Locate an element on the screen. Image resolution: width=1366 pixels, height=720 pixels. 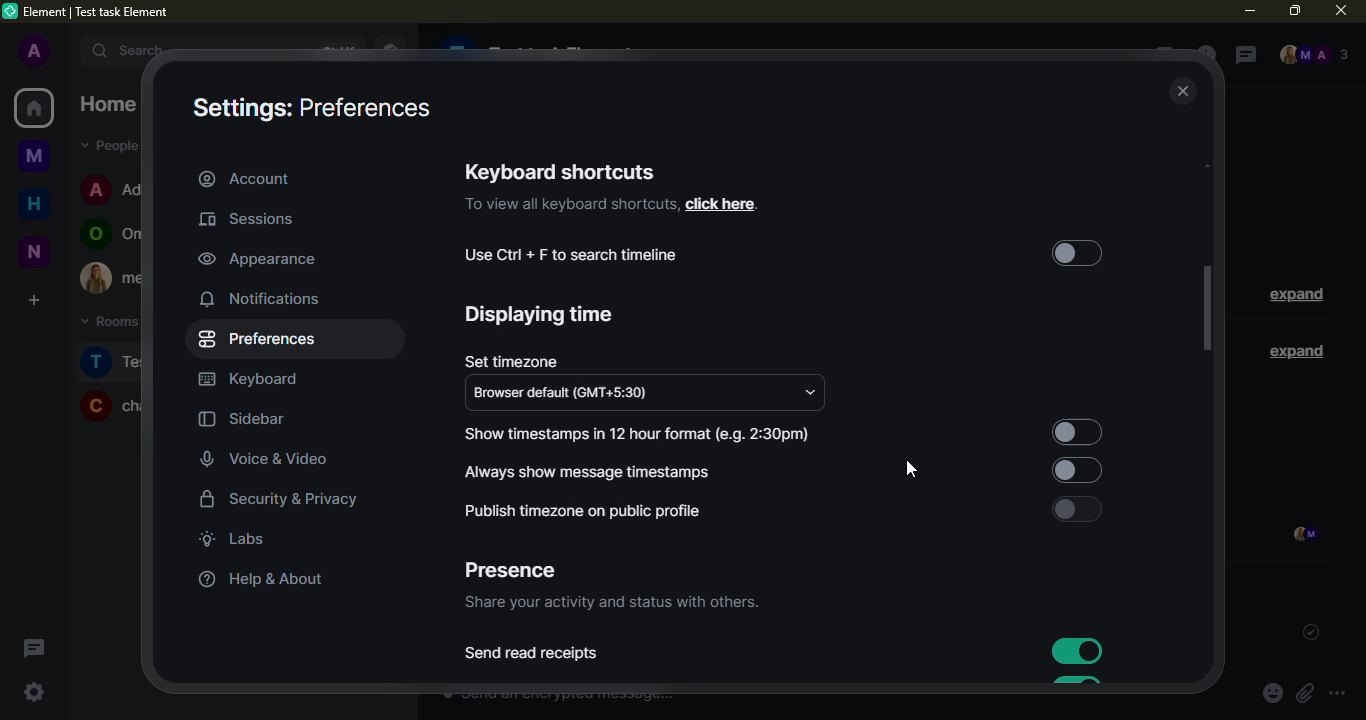
info is located at coordinates (610, 604).